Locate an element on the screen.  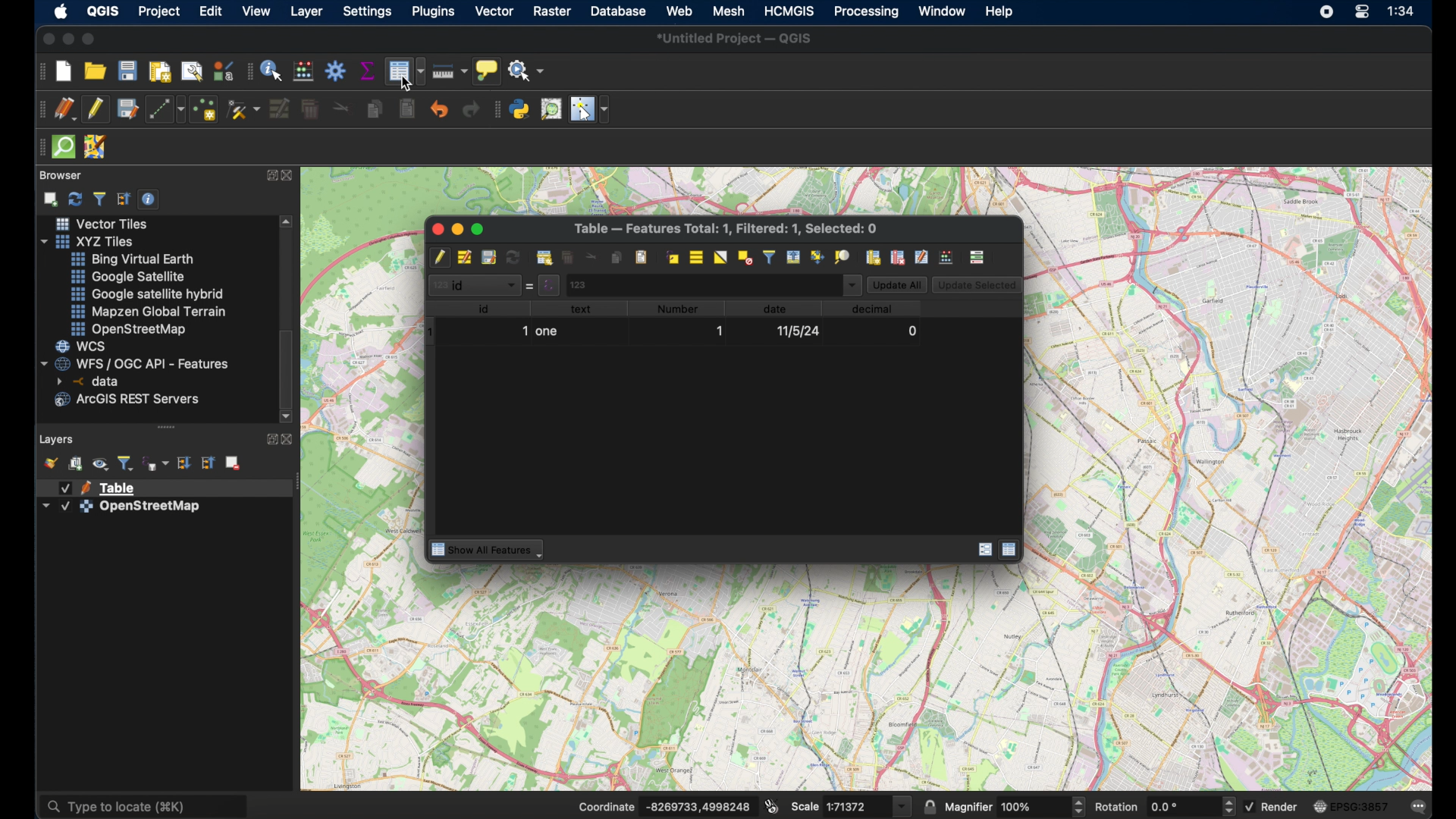
field is located at coordinates (701, 284).